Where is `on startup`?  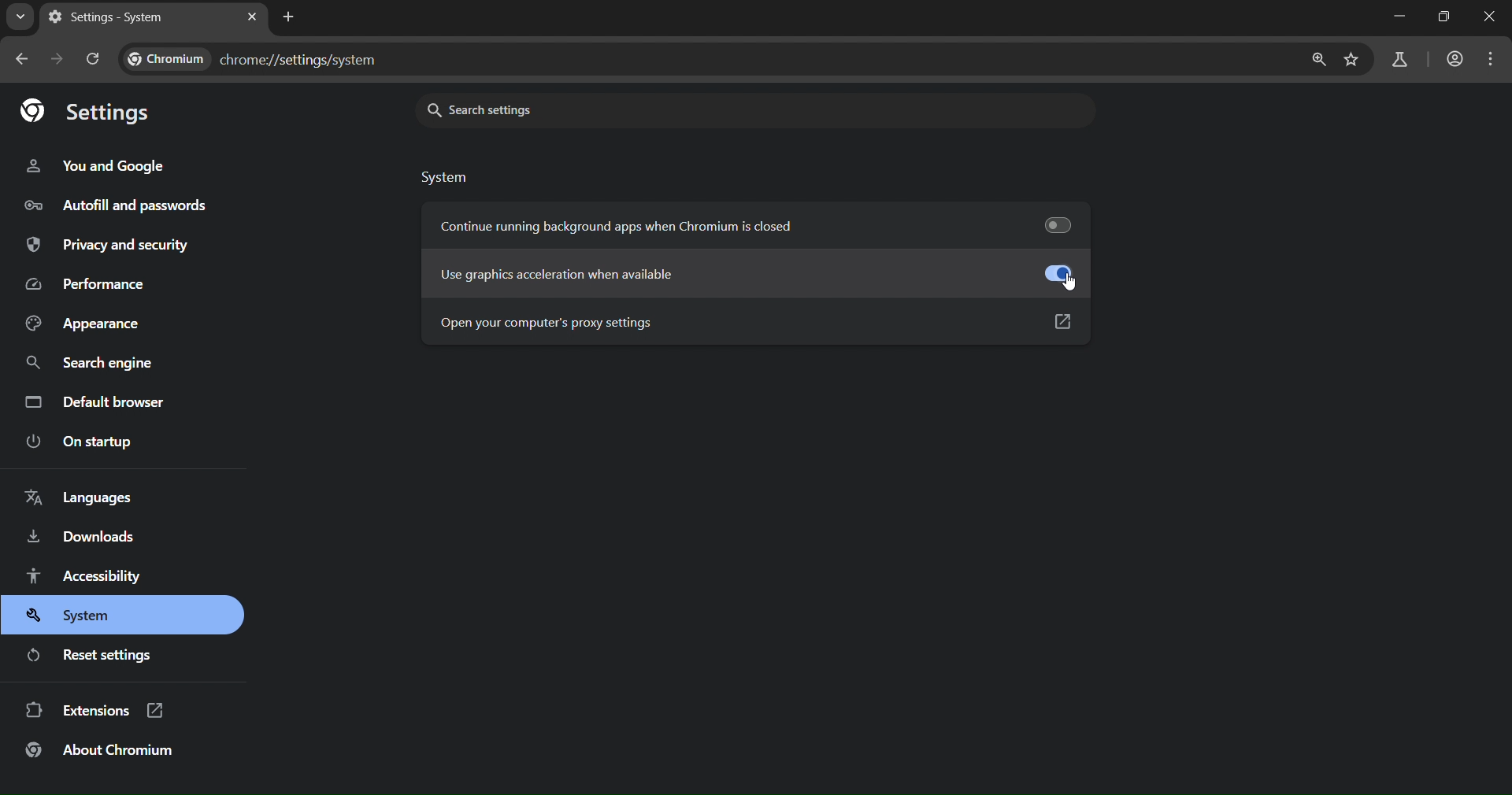
on startup is located at coordinates (80, 442).